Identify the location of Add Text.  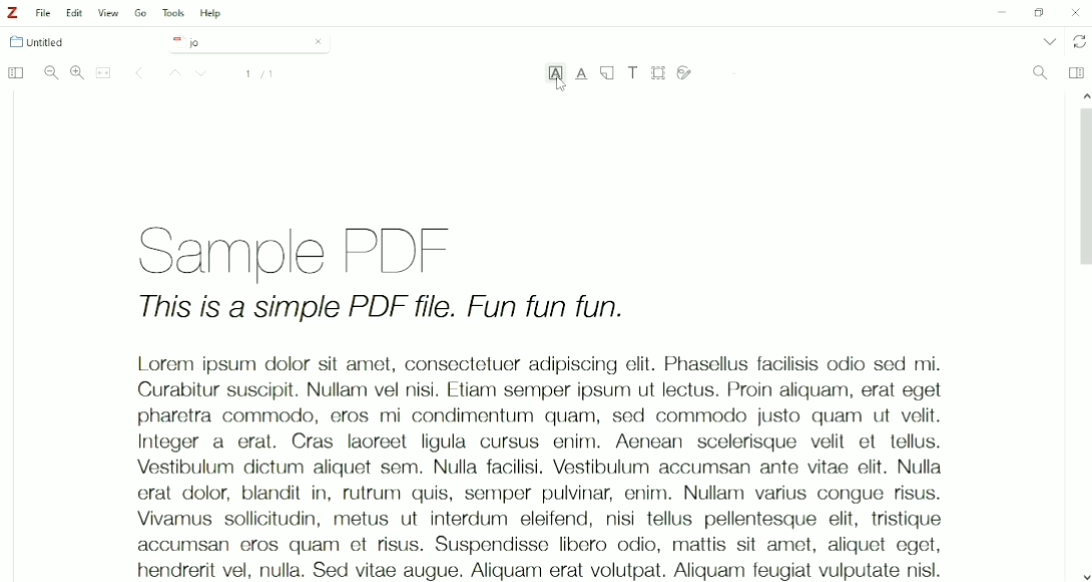
(634, 72).